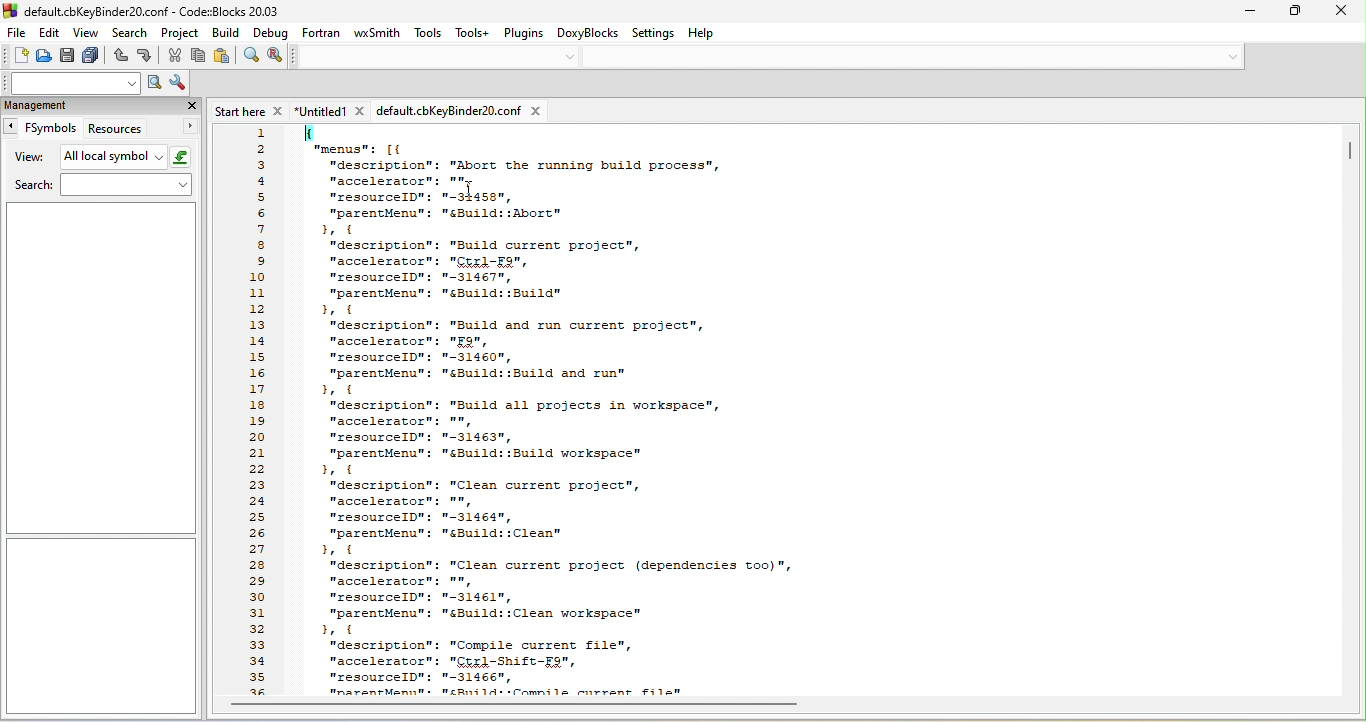  Describe the element at coordinates (128, 30) in the screenshot. I see `search` at that location.